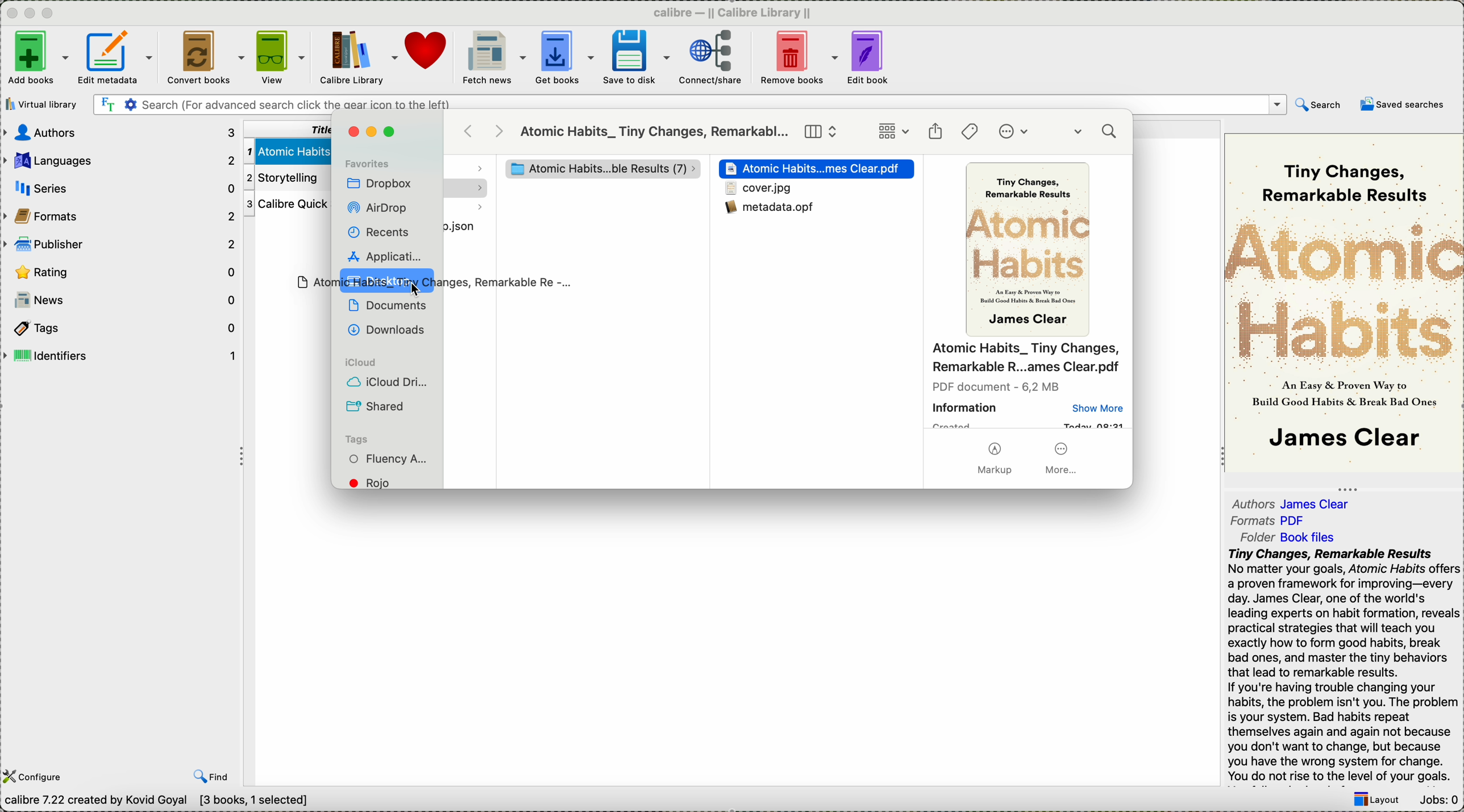  I want to click on authors, so click(121, 132).